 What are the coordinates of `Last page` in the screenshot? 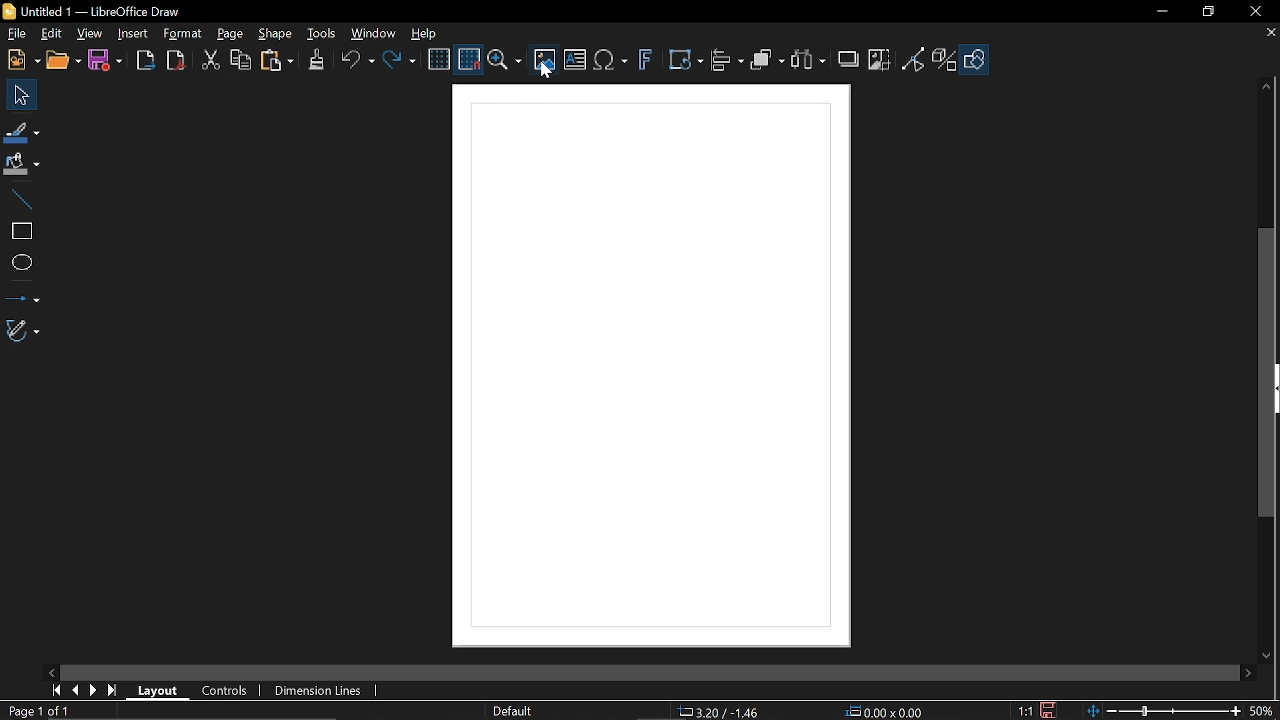 It's located at (112, 691).